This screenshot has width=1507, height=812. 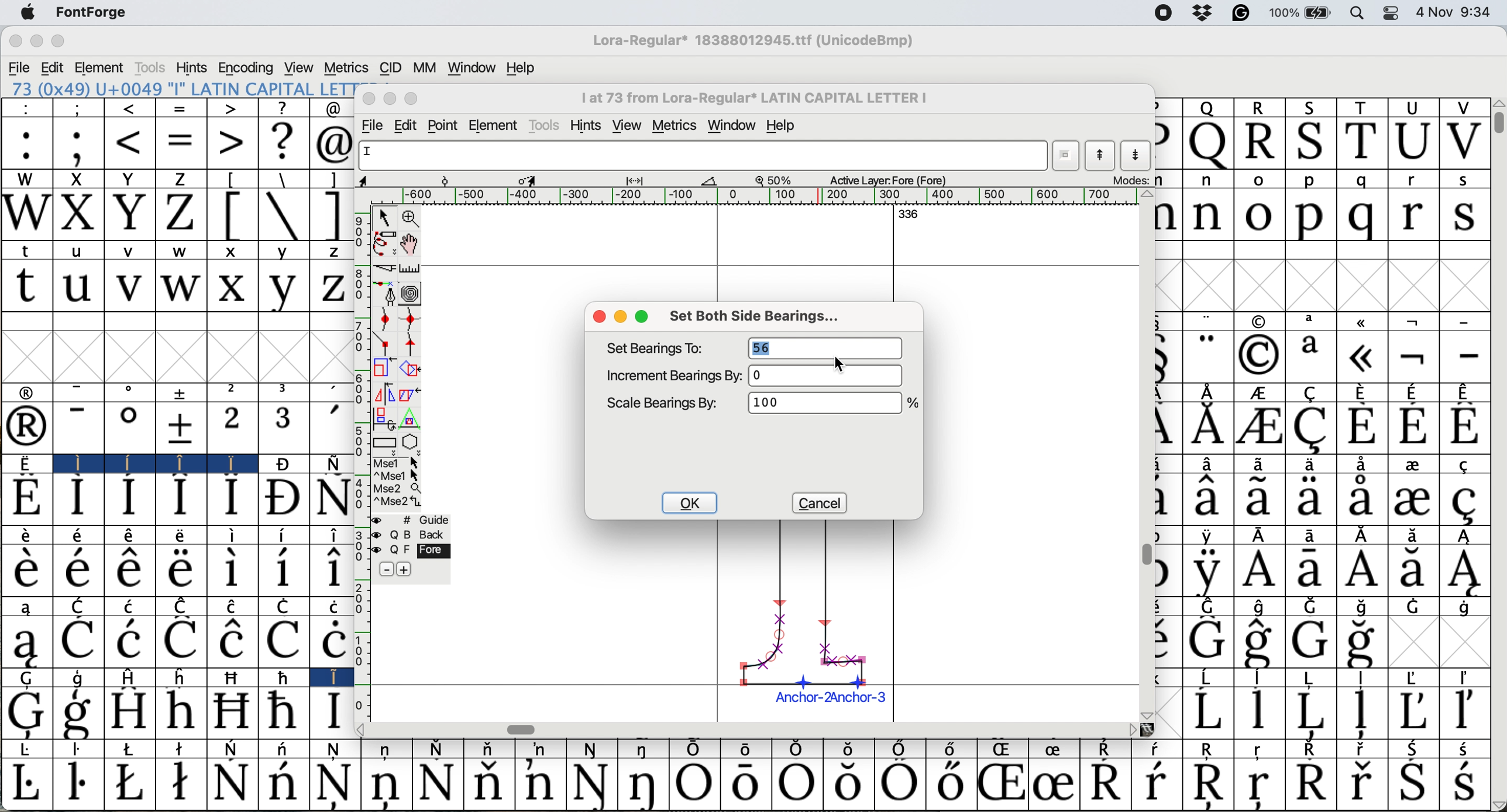 What do you see at coordinates (332, 429) in the screenshot?
I see `'` at bounding box center [332, 429].